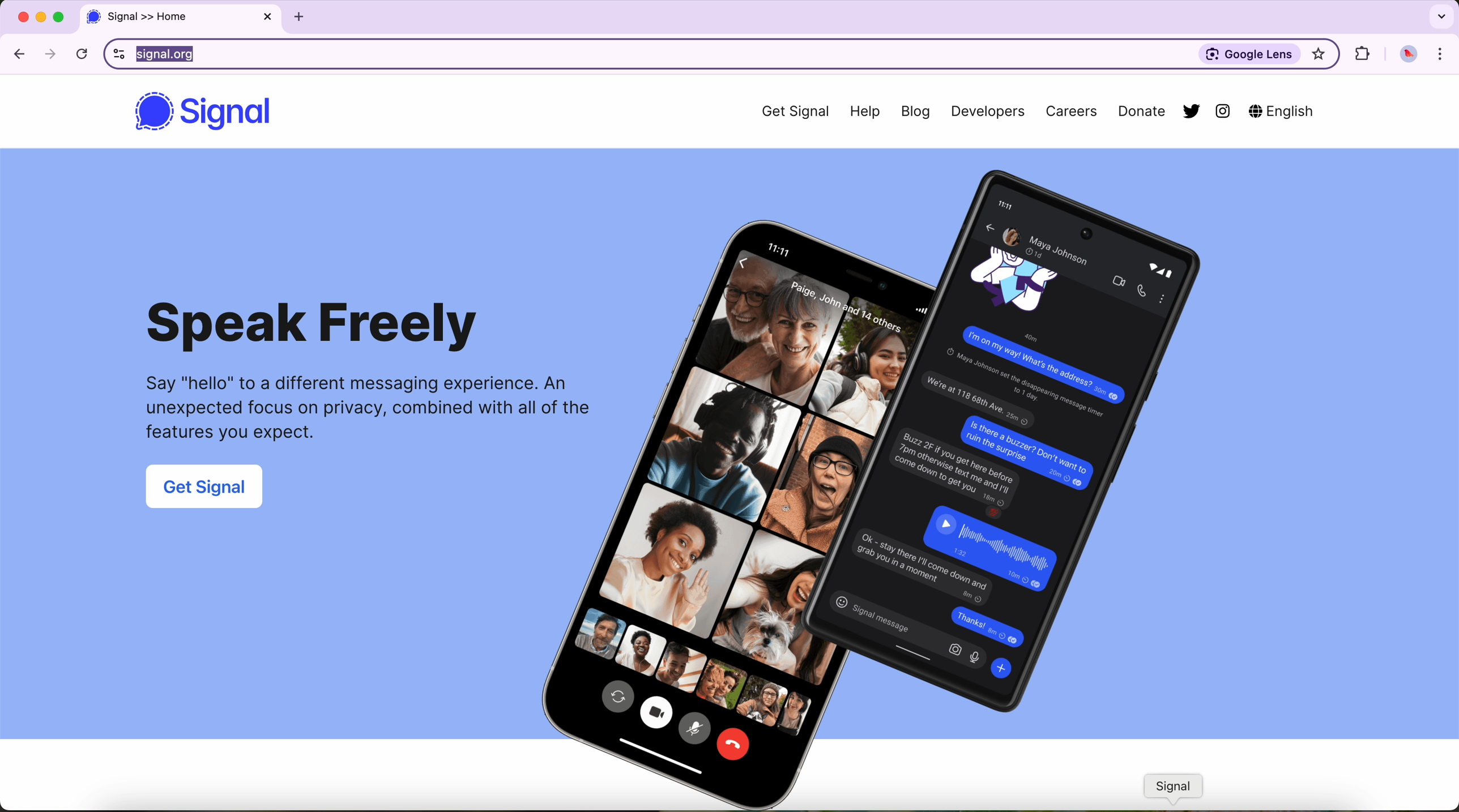  Describe the element at coordinates (181, 18) in the screenshot. I see `tab` at that location.